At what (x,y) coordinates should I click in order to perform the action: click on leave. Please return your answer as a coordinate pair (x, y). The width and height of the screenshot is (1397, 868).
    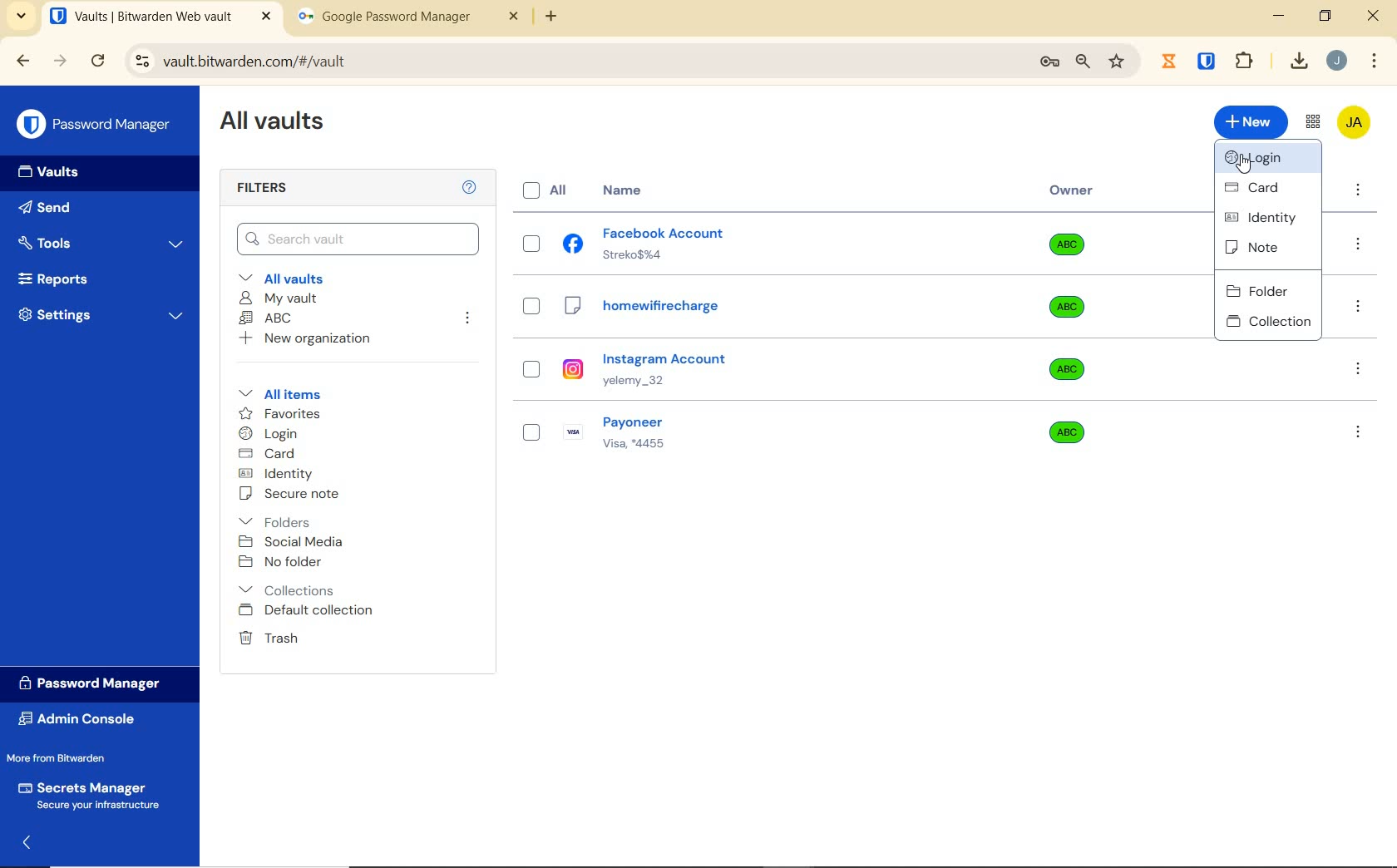
    Looking at the image, I should click on (466, 319).